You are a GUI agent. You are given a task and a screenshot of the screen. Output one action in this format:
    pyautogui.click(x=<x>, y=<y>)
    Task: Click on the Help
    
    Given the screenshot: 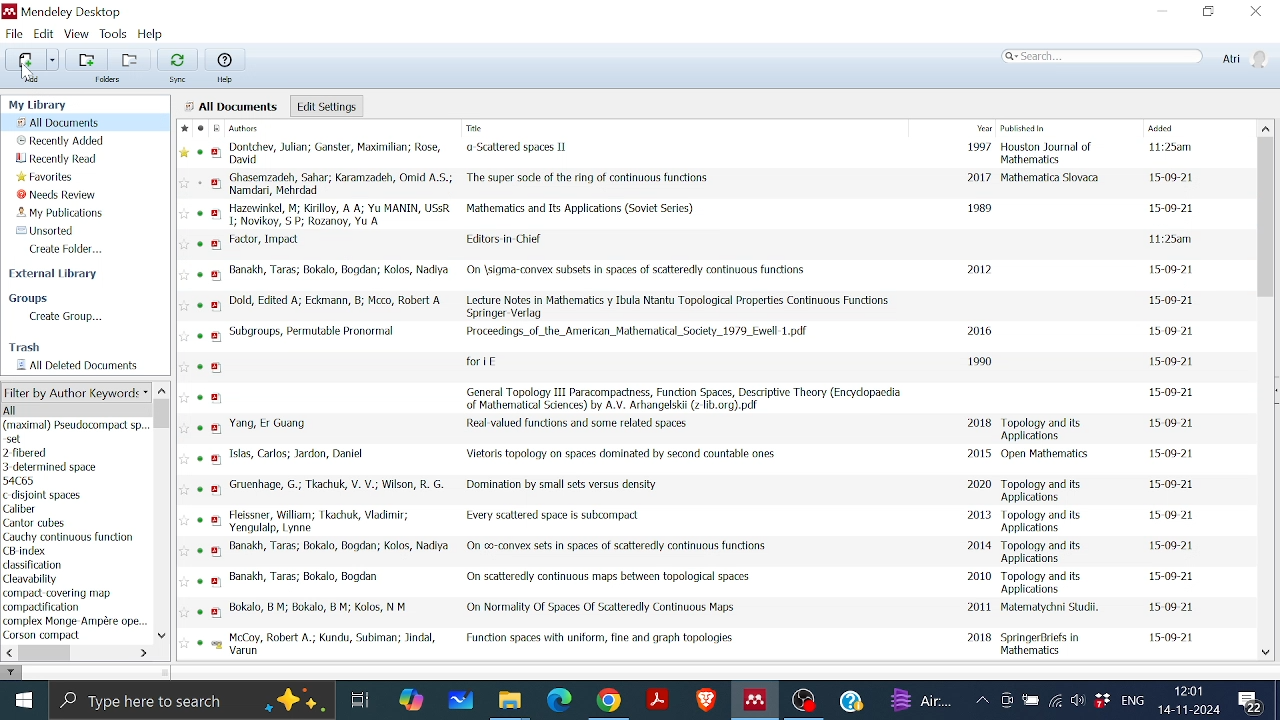 What is the action you would take?
    pyautogui.click(x=222, y=59)
    